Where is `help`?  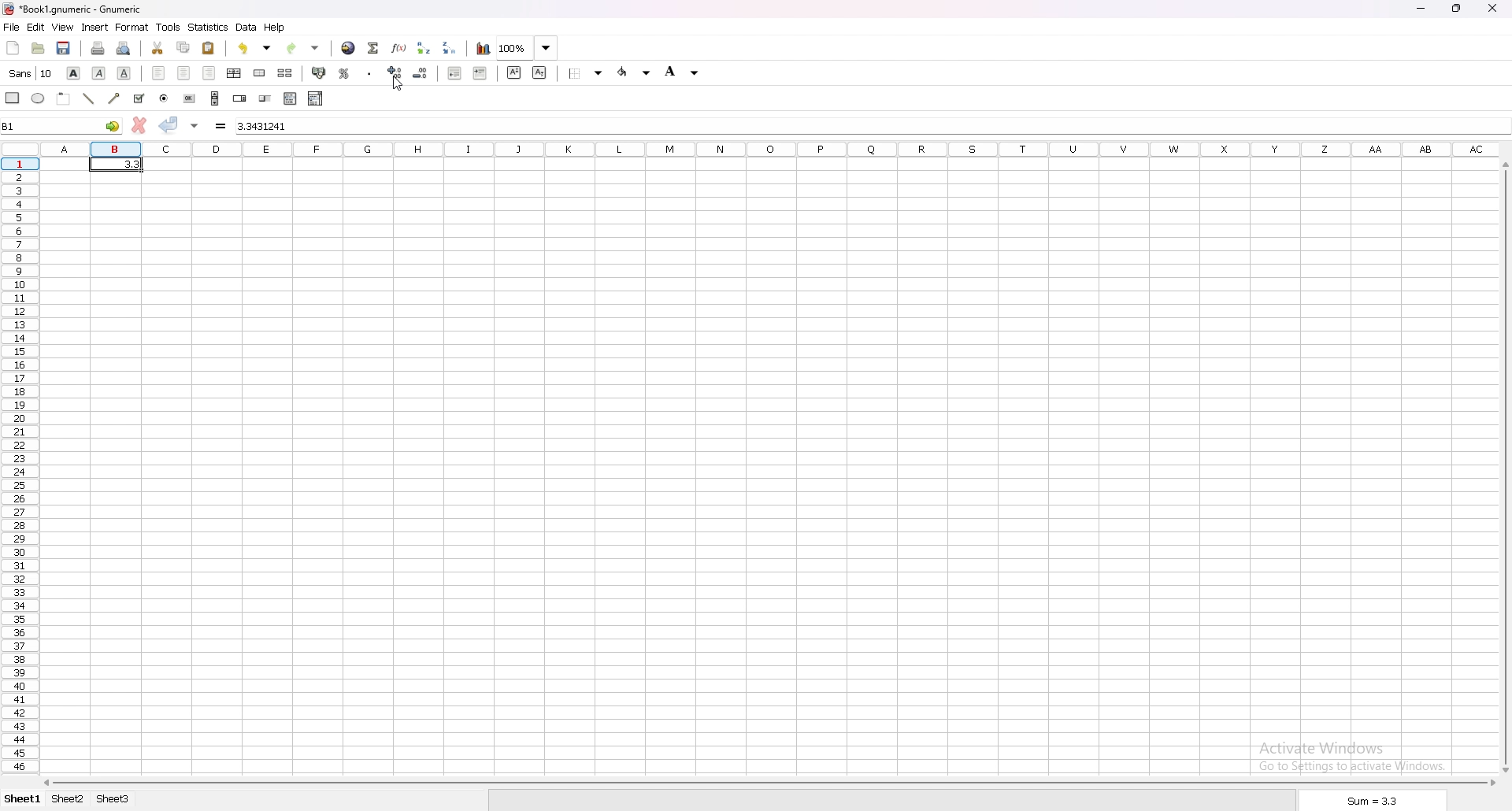 help is located at coordinates (276, 28).